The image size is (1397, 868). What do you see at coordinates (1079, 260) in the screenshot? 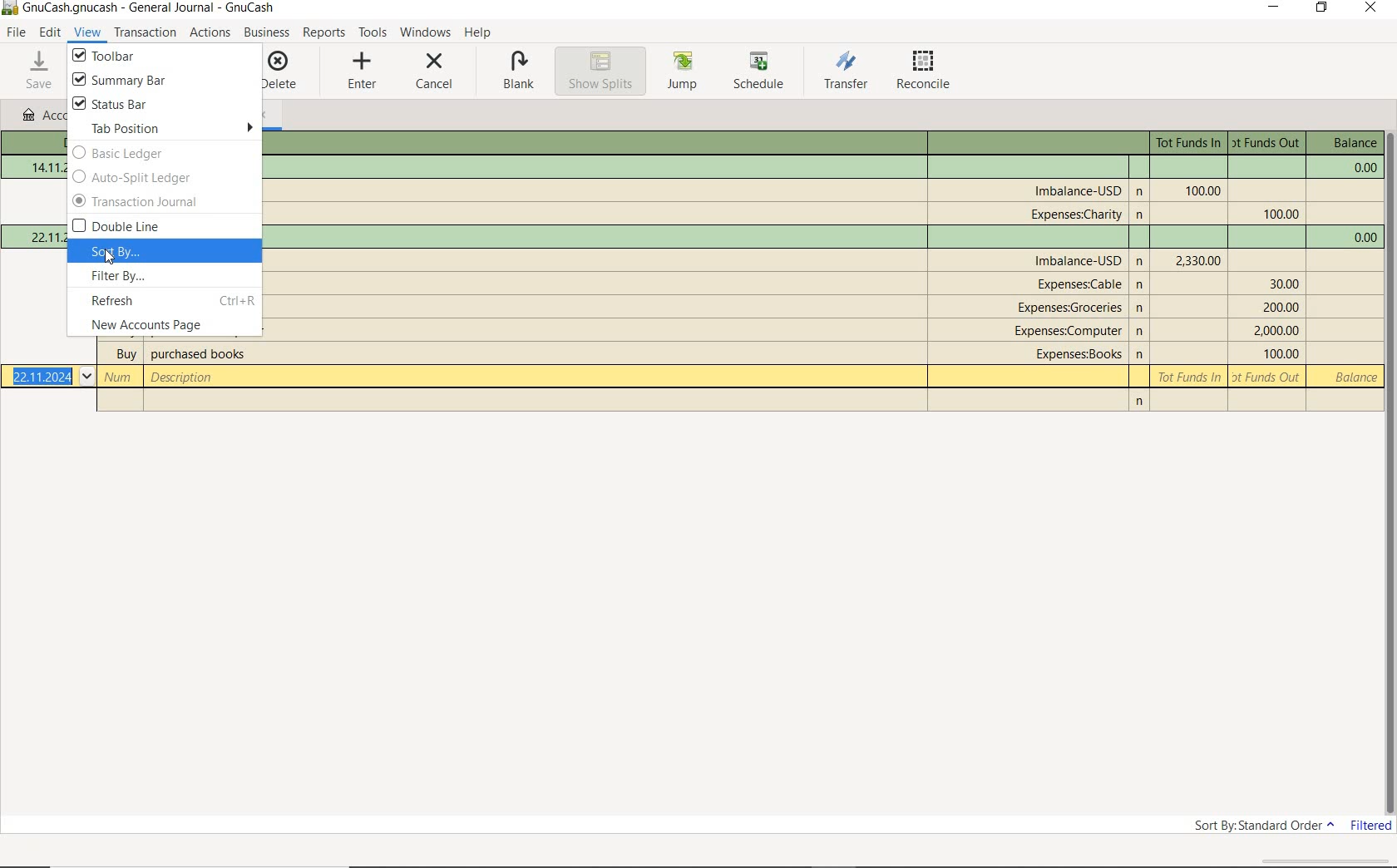
I see `account` at bounding box center [1079, 260].